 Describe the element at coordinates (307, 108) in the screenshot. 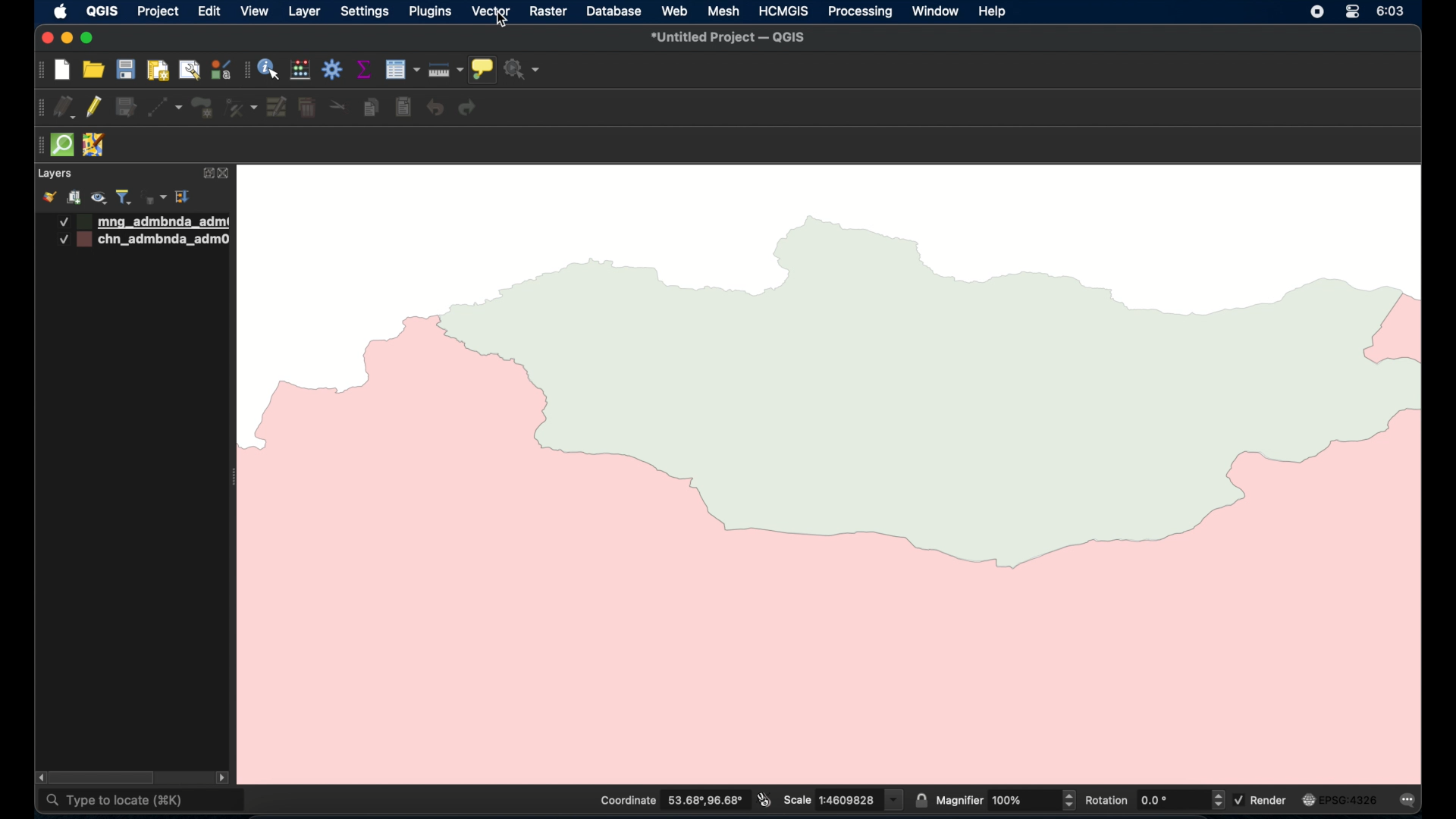

I see `delete selected` at that location.